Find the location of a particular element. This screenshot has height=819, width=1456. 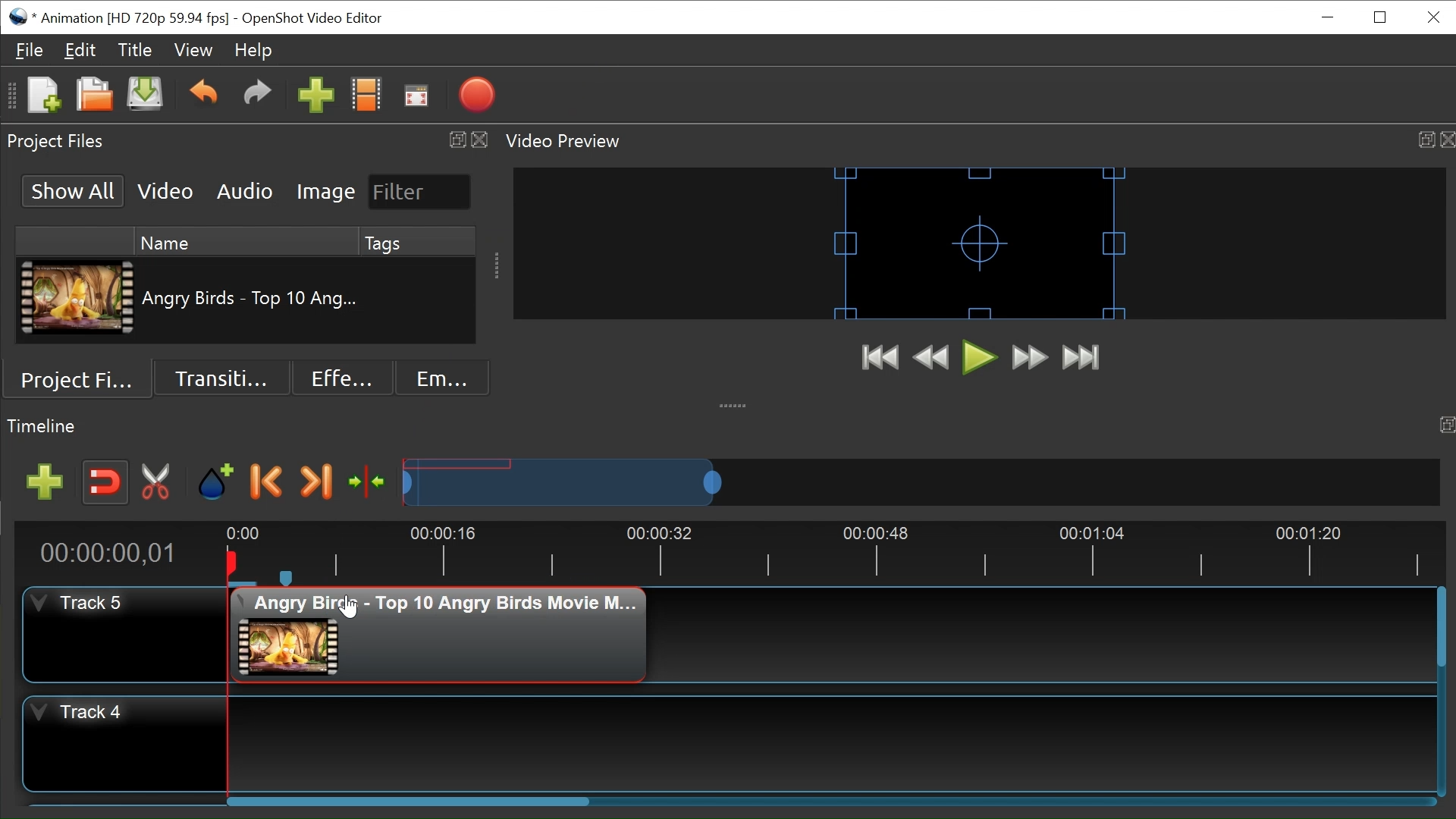

Project Files Panel is located at coordinates (245, 141).